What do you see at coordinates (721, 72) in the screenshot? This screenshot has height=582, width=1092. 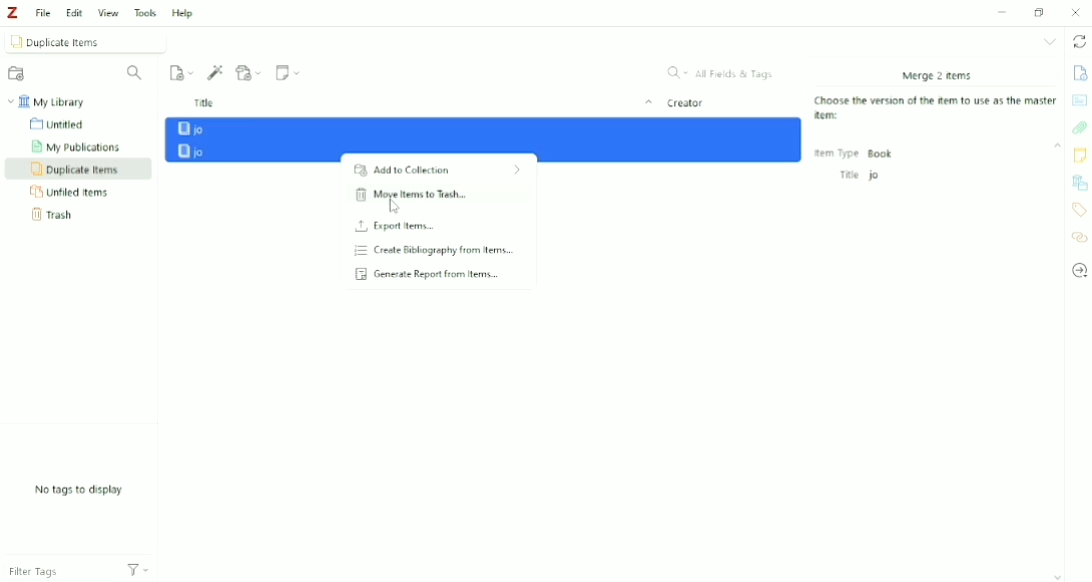 I see `All Fields & Tags` at bounding box center [721, 72].